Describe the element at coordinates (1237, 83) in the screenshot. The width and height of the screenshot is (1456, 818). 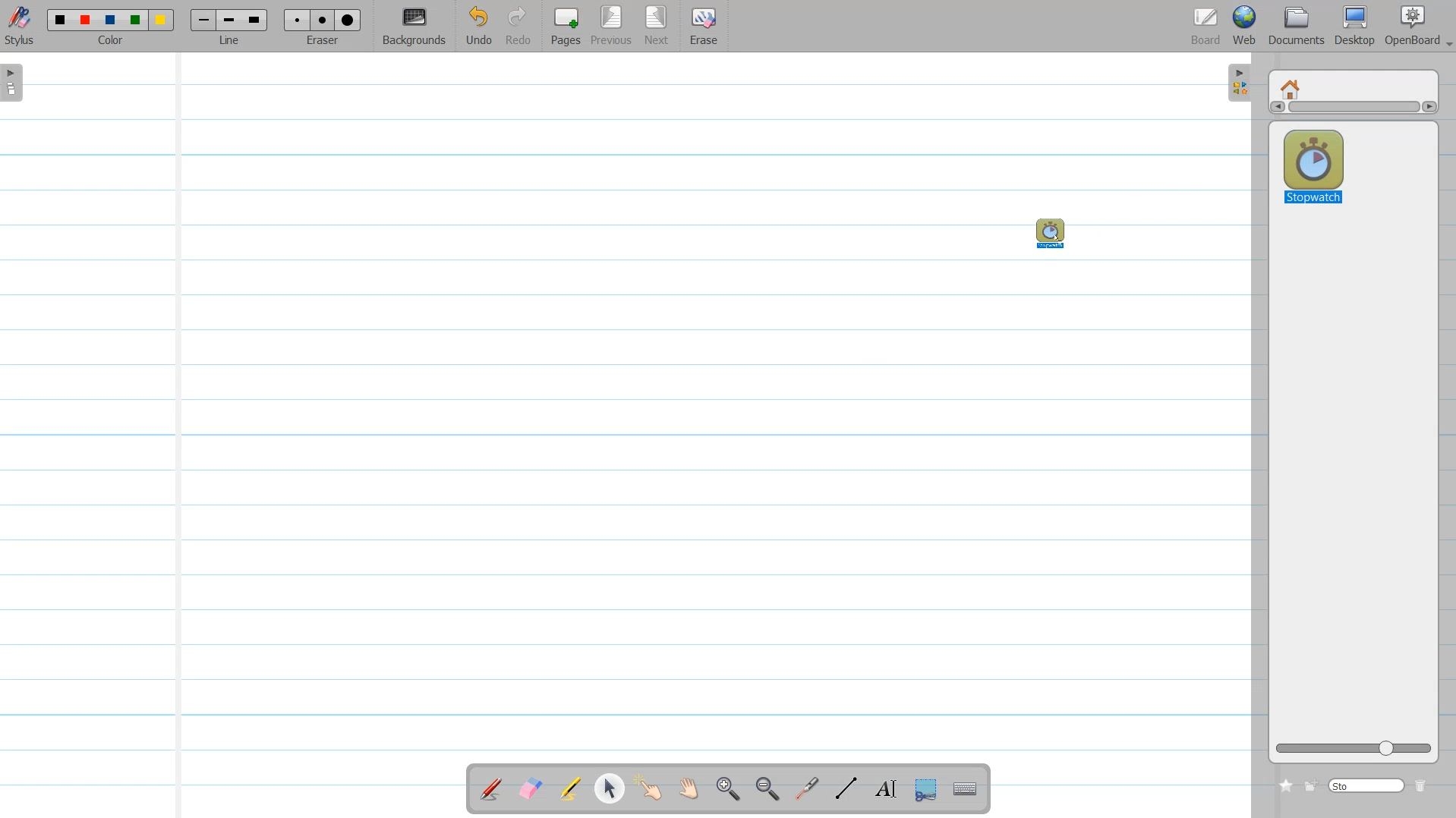
I see `Sidebar` at that location.